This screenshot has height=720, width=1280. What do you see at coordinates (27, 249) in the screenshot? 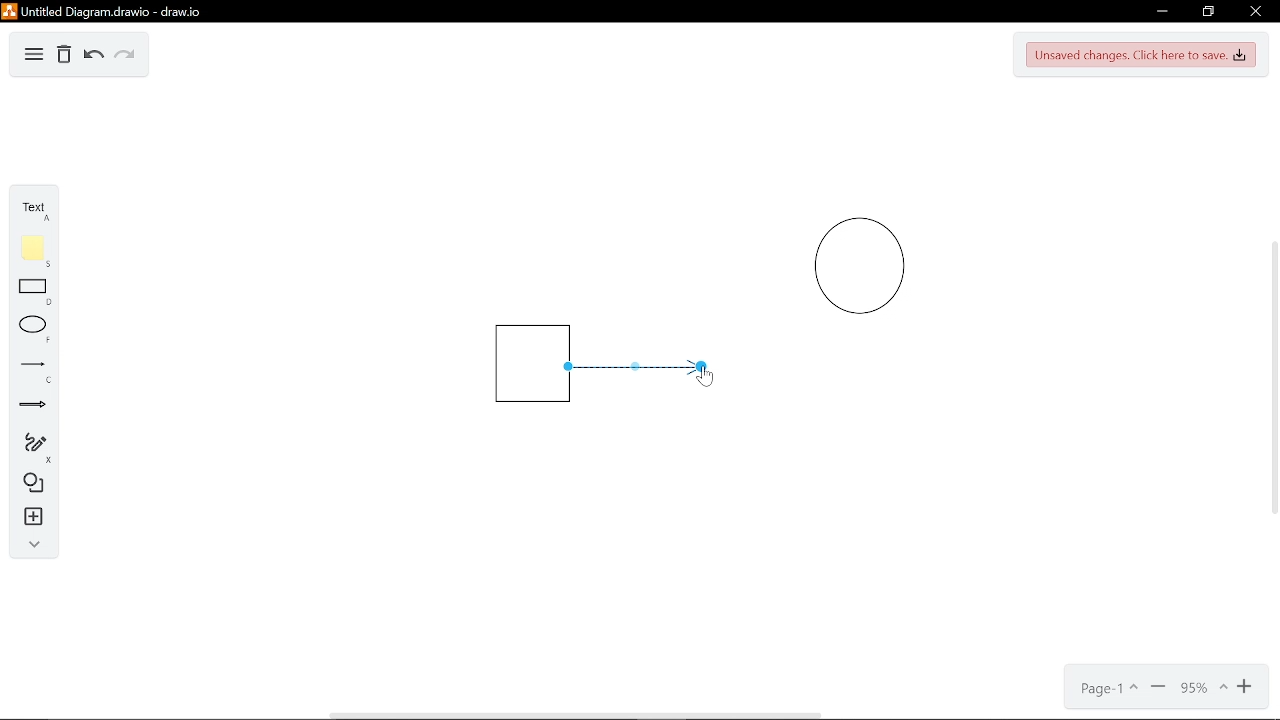
I see `Note` at bounding box center [27, 249].